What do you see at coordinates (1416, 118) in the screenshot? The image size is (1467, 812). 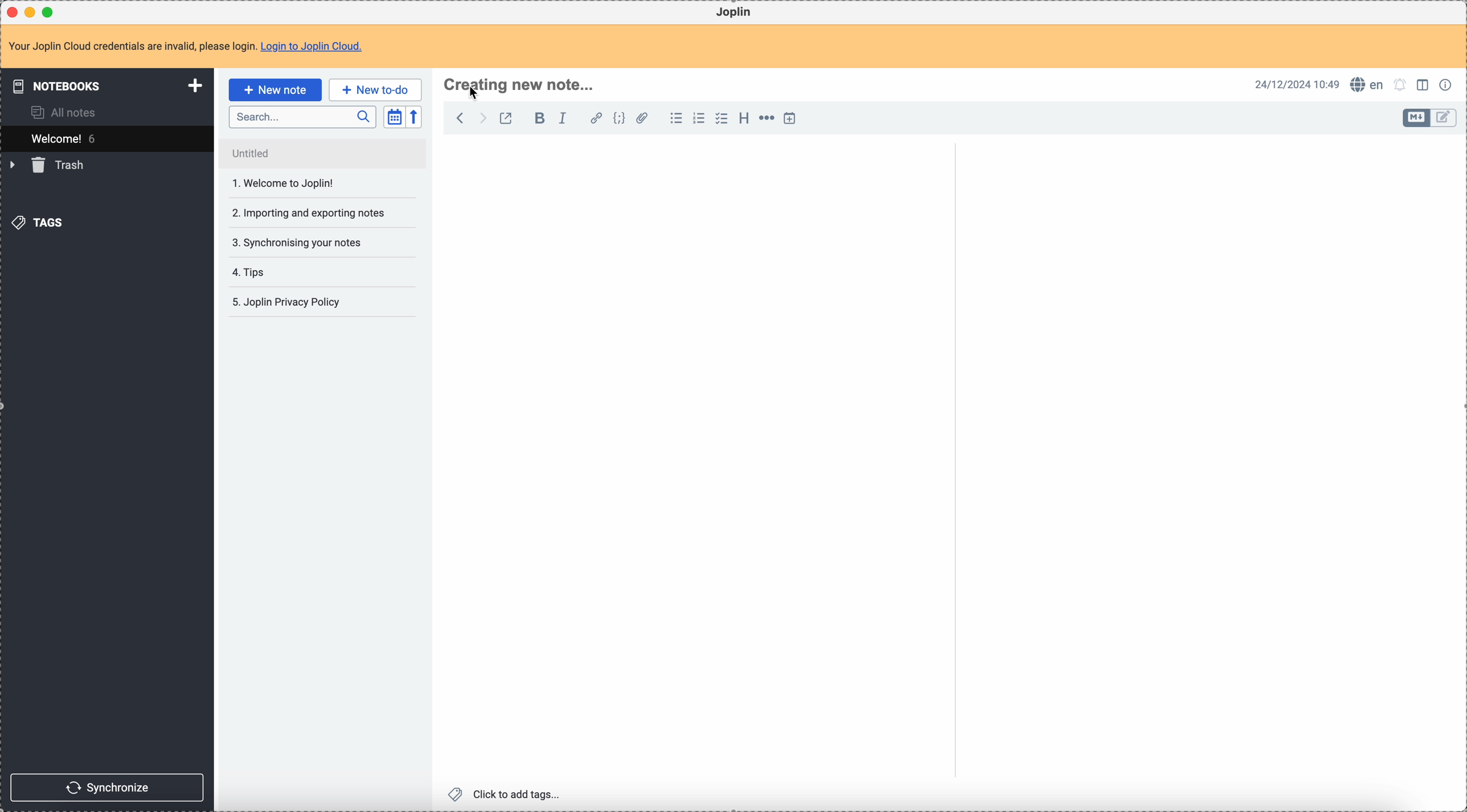 I see `toggle edit layout` at bounding box center [1416, 118].